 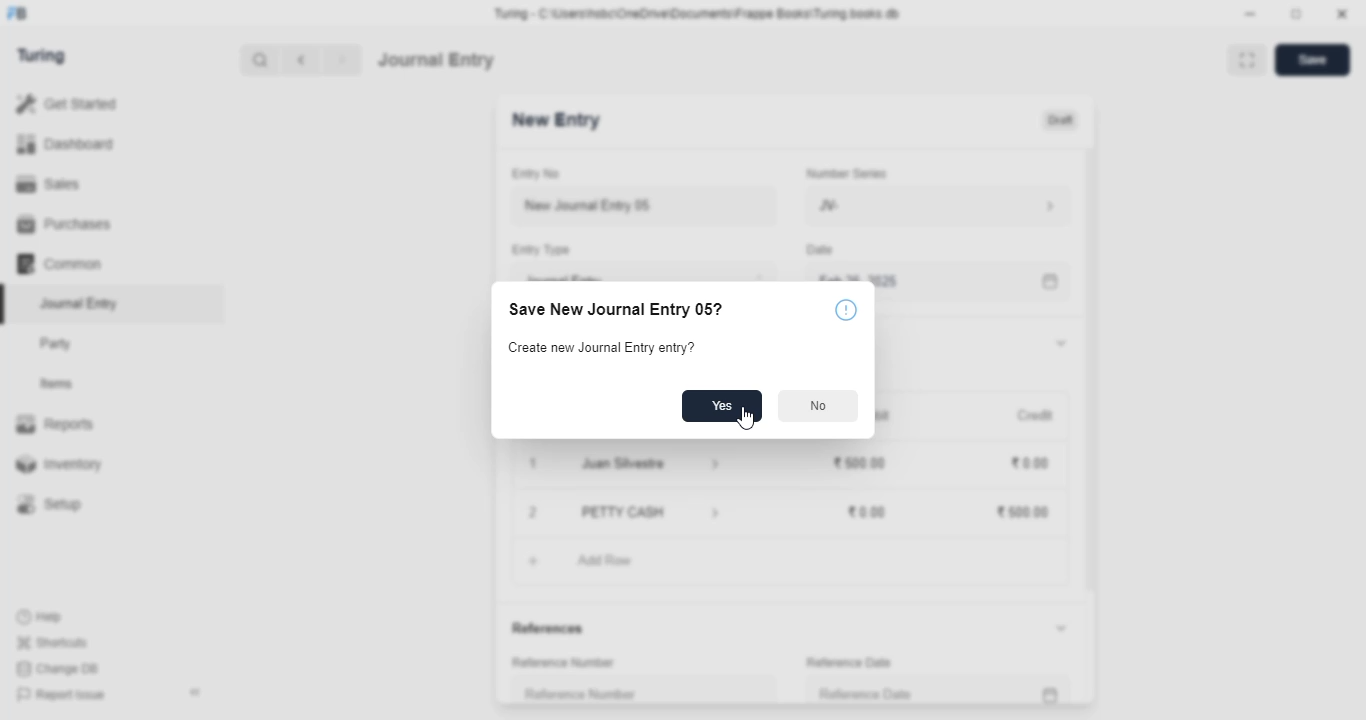 I want to click on entry no, so click(x=537, y=174).